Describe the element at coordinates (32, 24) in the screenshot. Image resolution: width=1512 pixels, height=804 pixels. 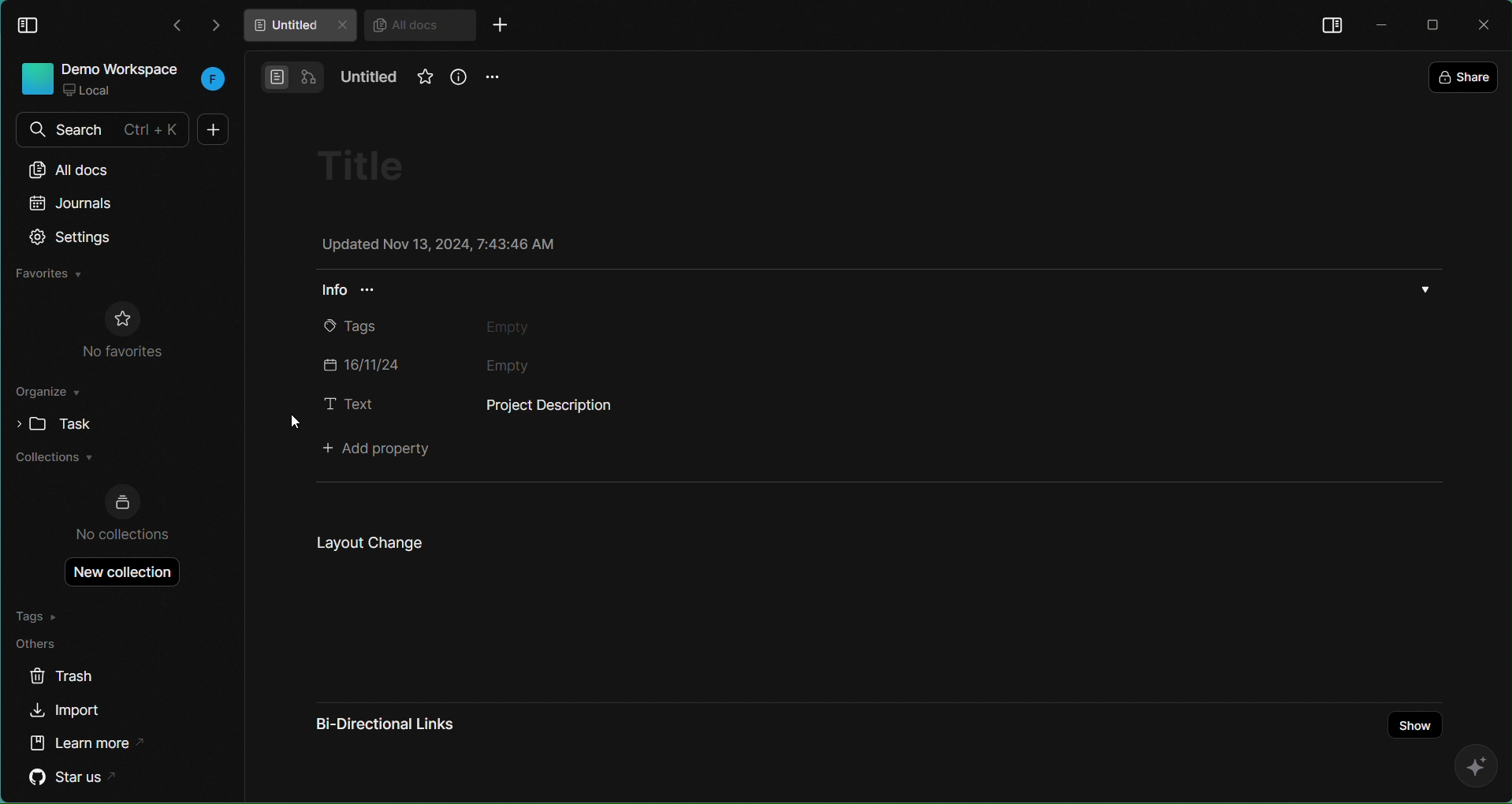
I see `display` at that location.